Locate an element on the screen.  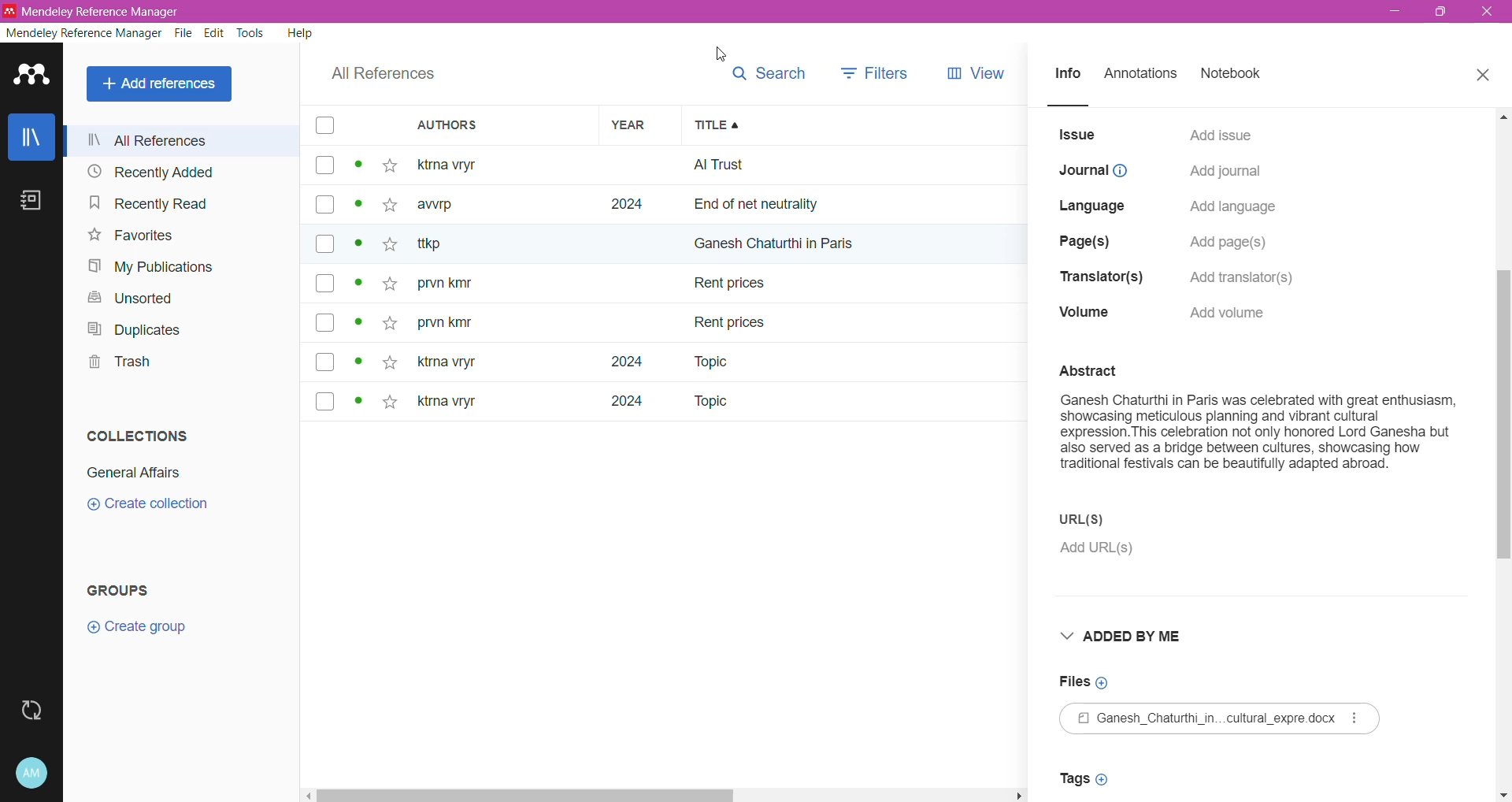
Language is located at coordinates (1096, 203).